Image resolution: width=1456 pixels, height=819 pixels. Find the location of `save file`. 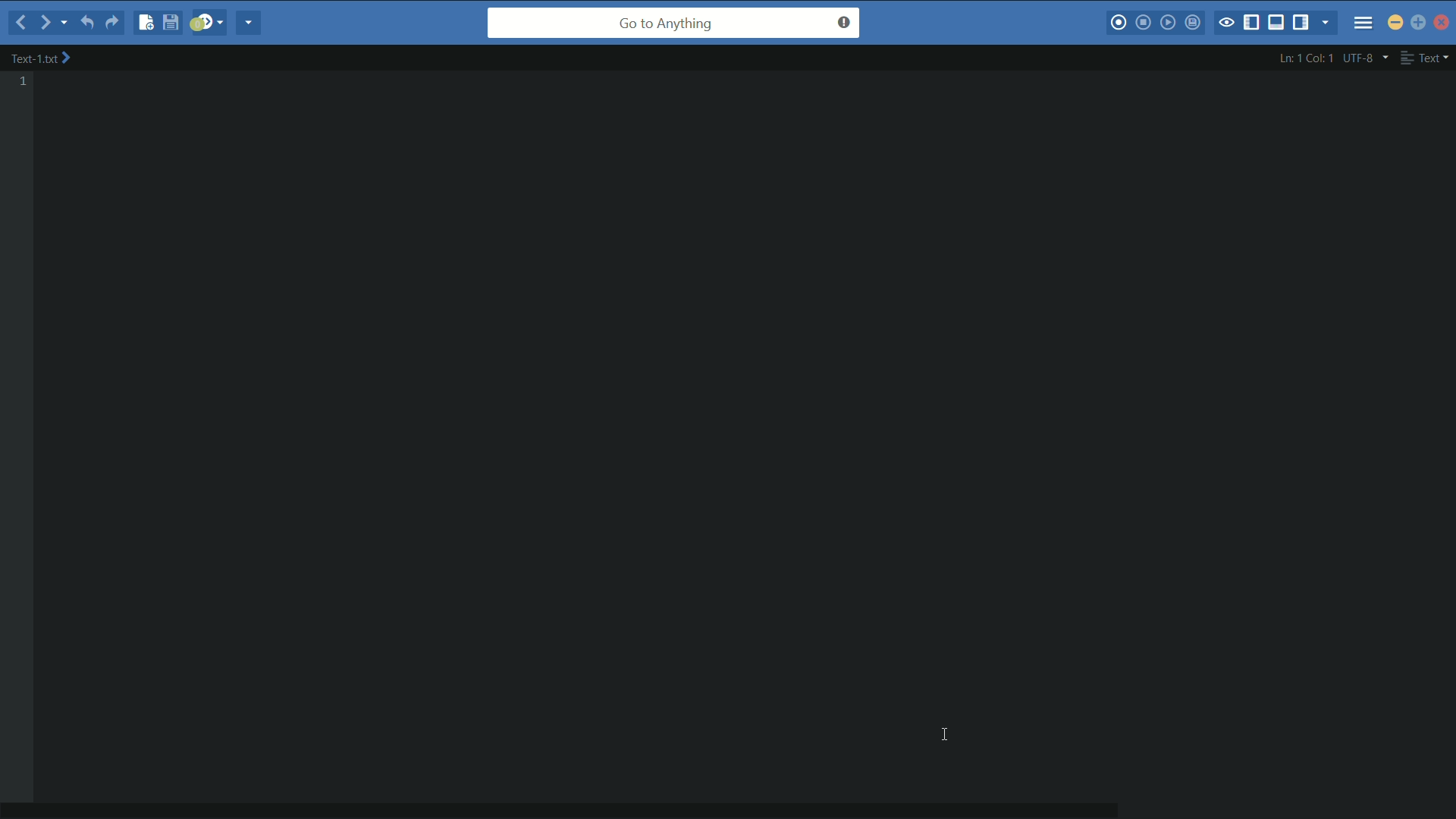

save file is located at coordinates (171, 20).